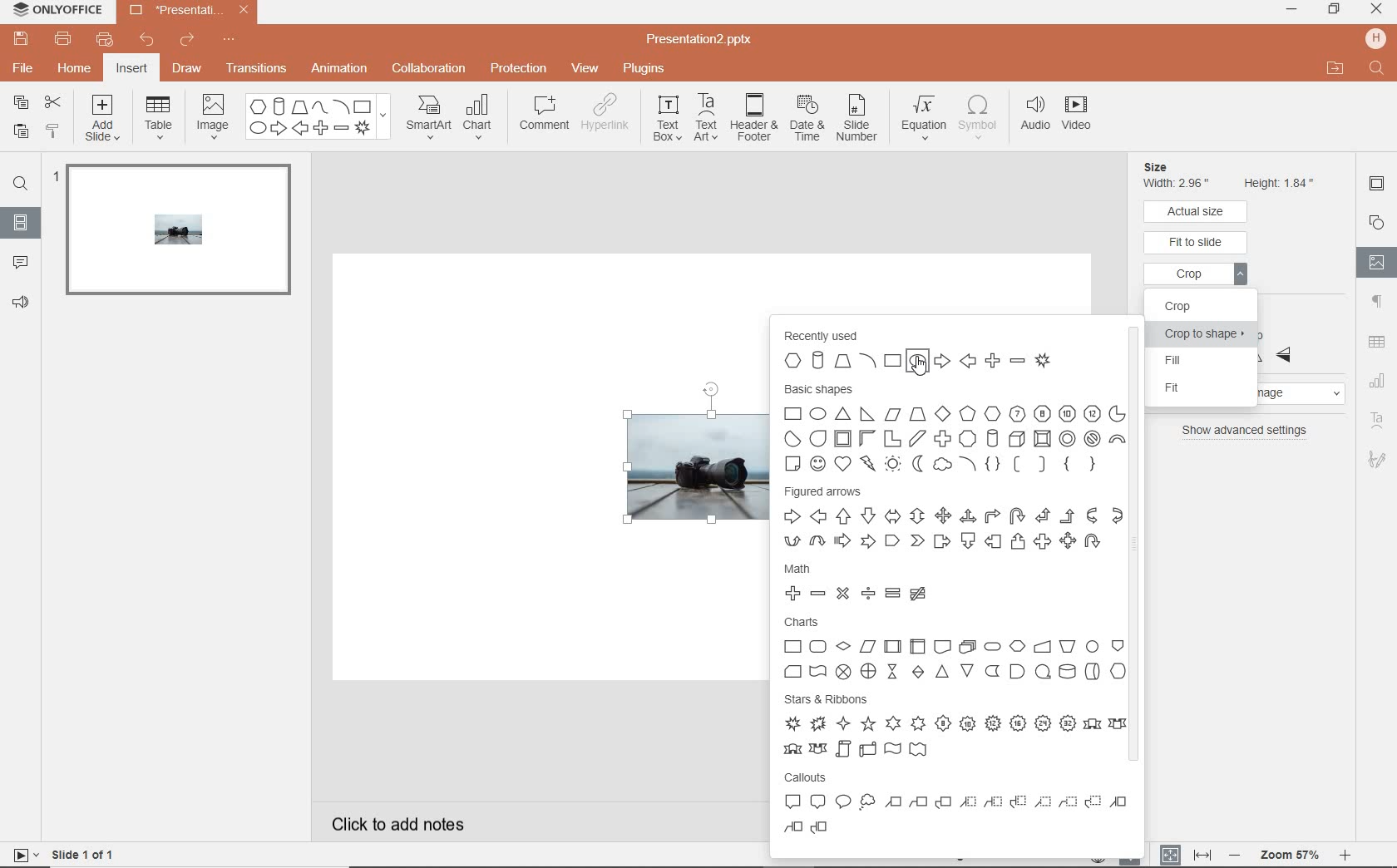 This screenshot has height=868, width=1397. I want to click on click to add notes, so click(437, 821).